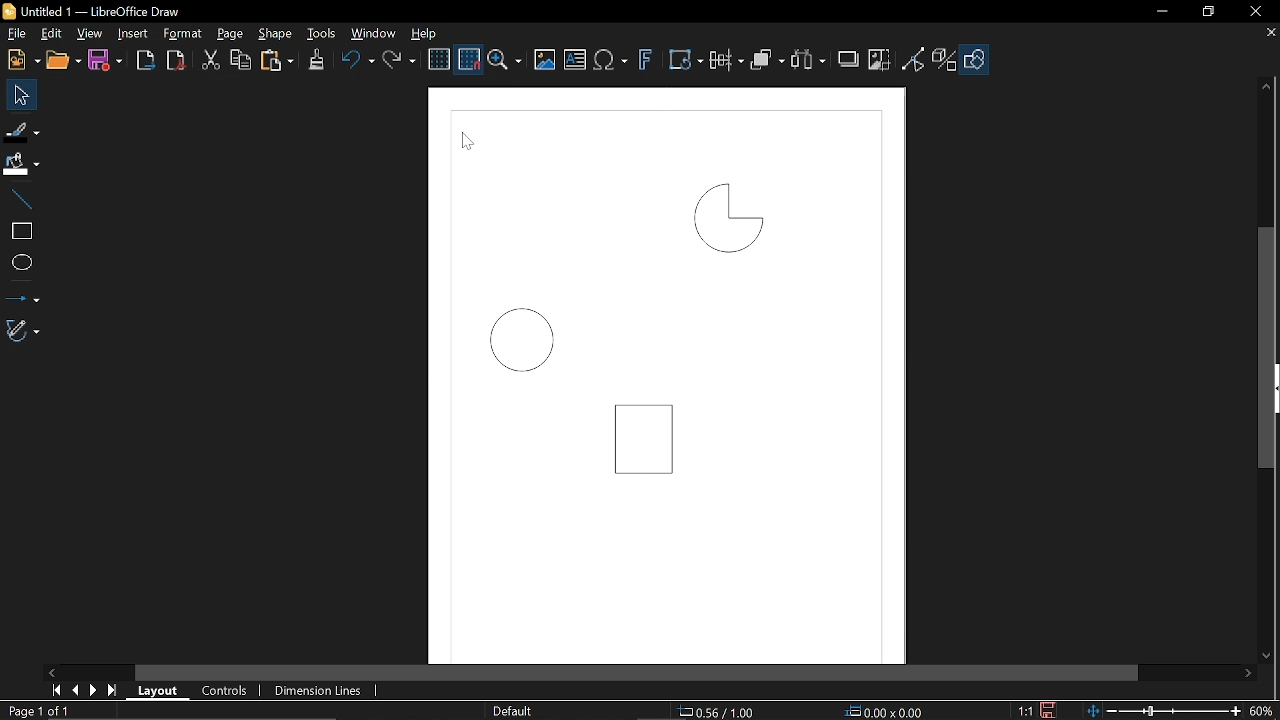  What do you see at coordinates (75, 690) in the screenshot?
I see `Previous page` at bounding box center [75, 690].